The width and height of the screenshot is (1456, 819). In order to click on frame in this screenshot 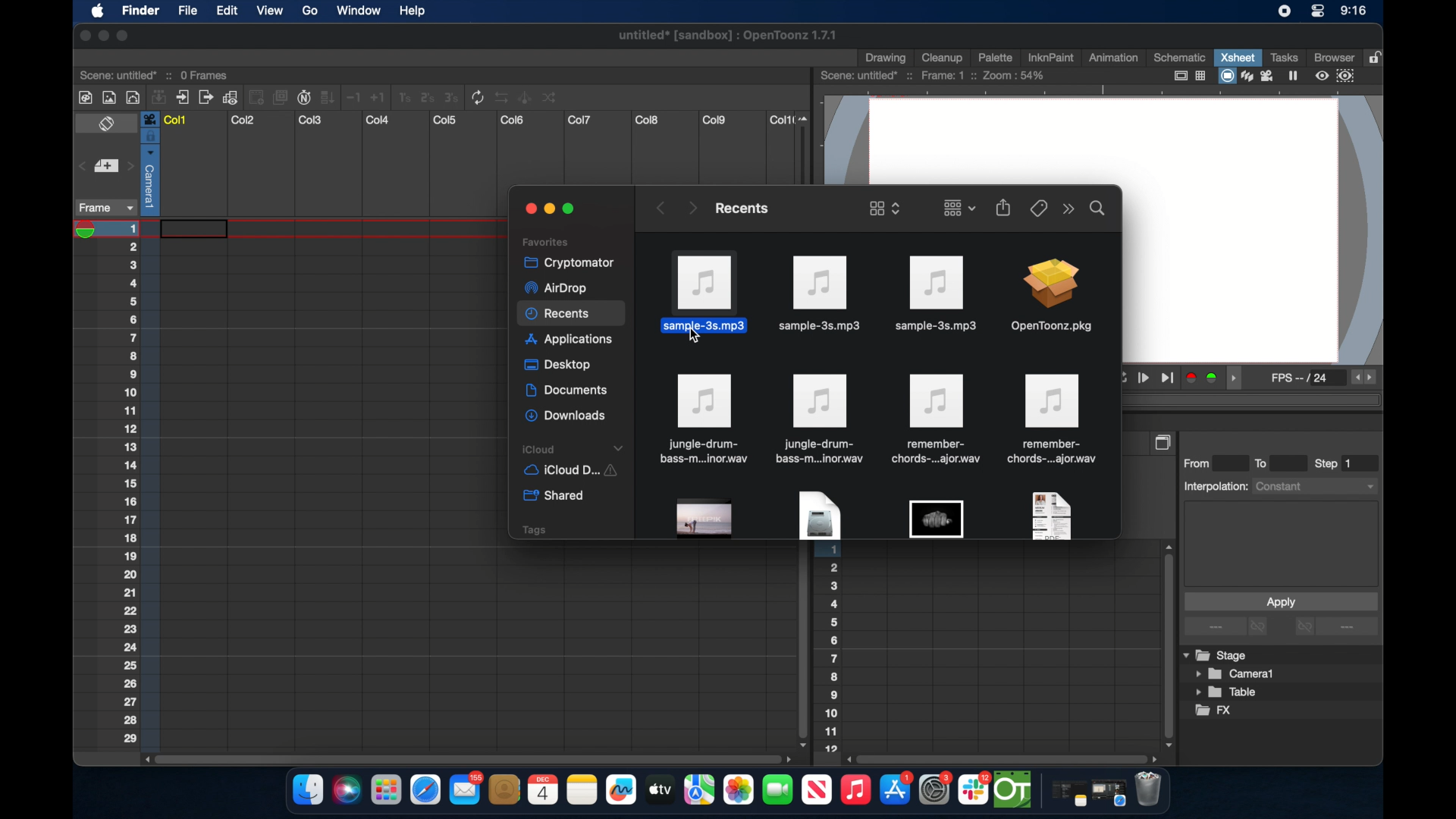, I will do `click(103, 208)`.